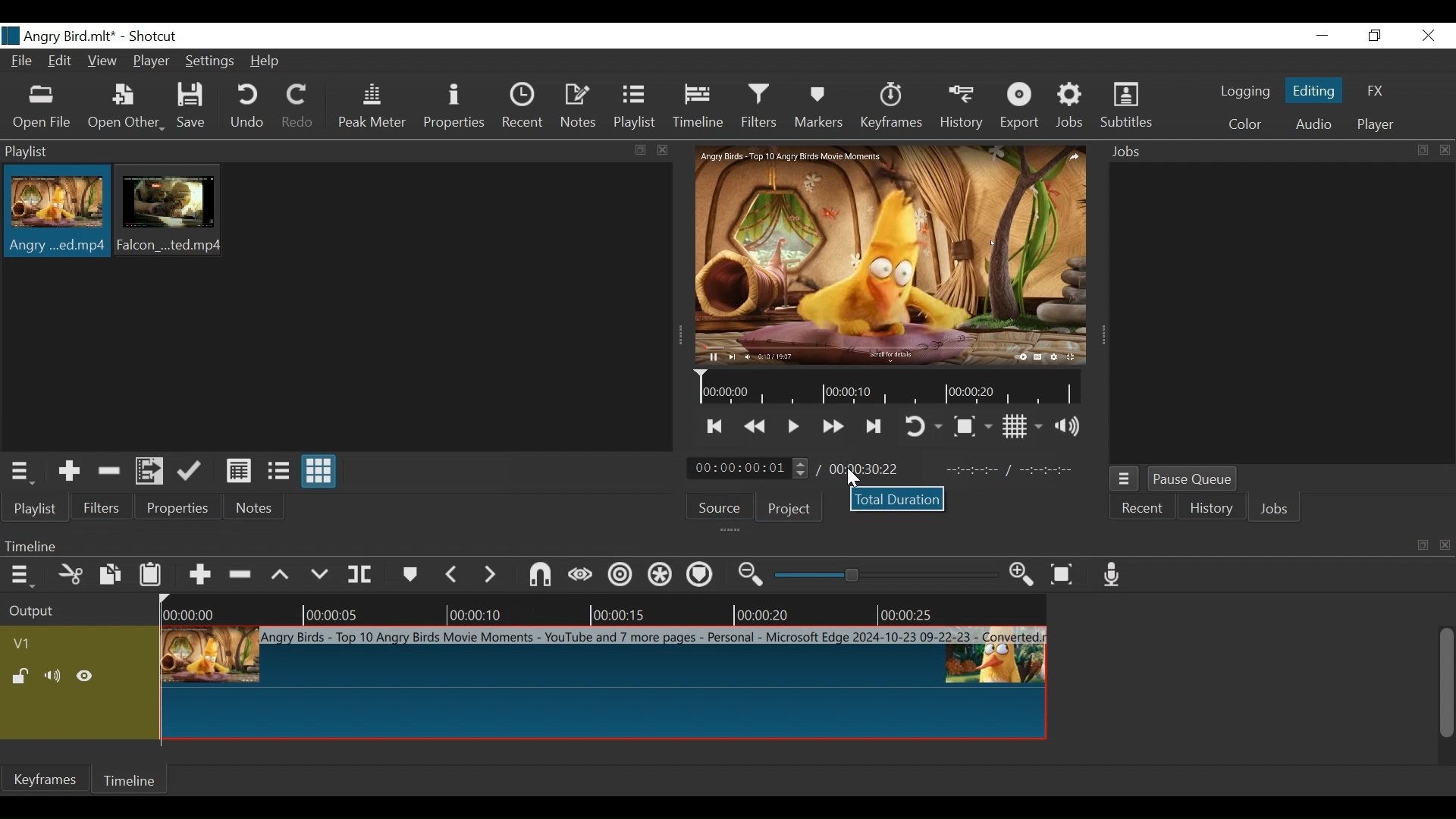 The image size is (1456, 819). What do you see at coordinates (581, 578) in the screenshot?
I see `Scrub while dragging` at bounding box center [581, 578].